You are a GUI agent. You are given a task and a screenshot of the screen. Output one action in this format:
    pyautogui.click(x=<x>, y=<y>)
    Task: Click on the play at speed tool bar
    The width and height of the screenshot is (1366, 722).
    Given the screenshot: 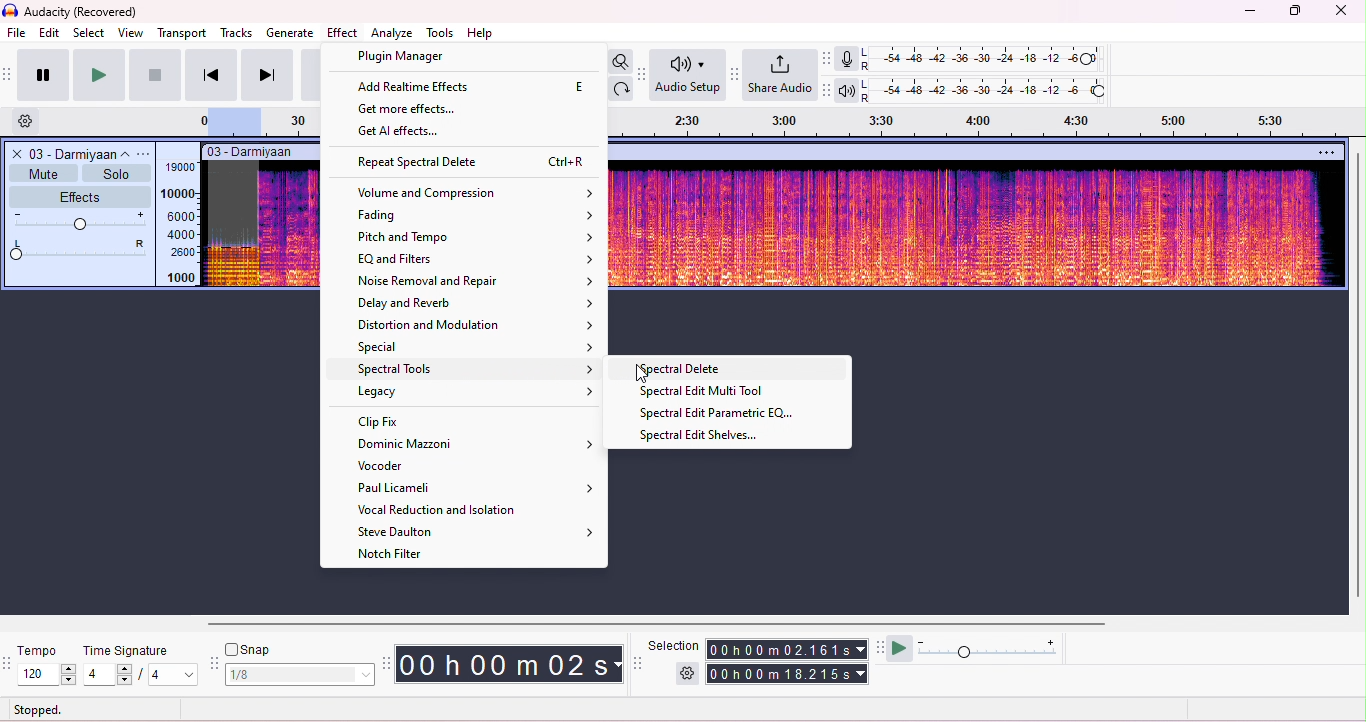 What is the action you would take?
    pyautogui.click(x=879, y=646)
    